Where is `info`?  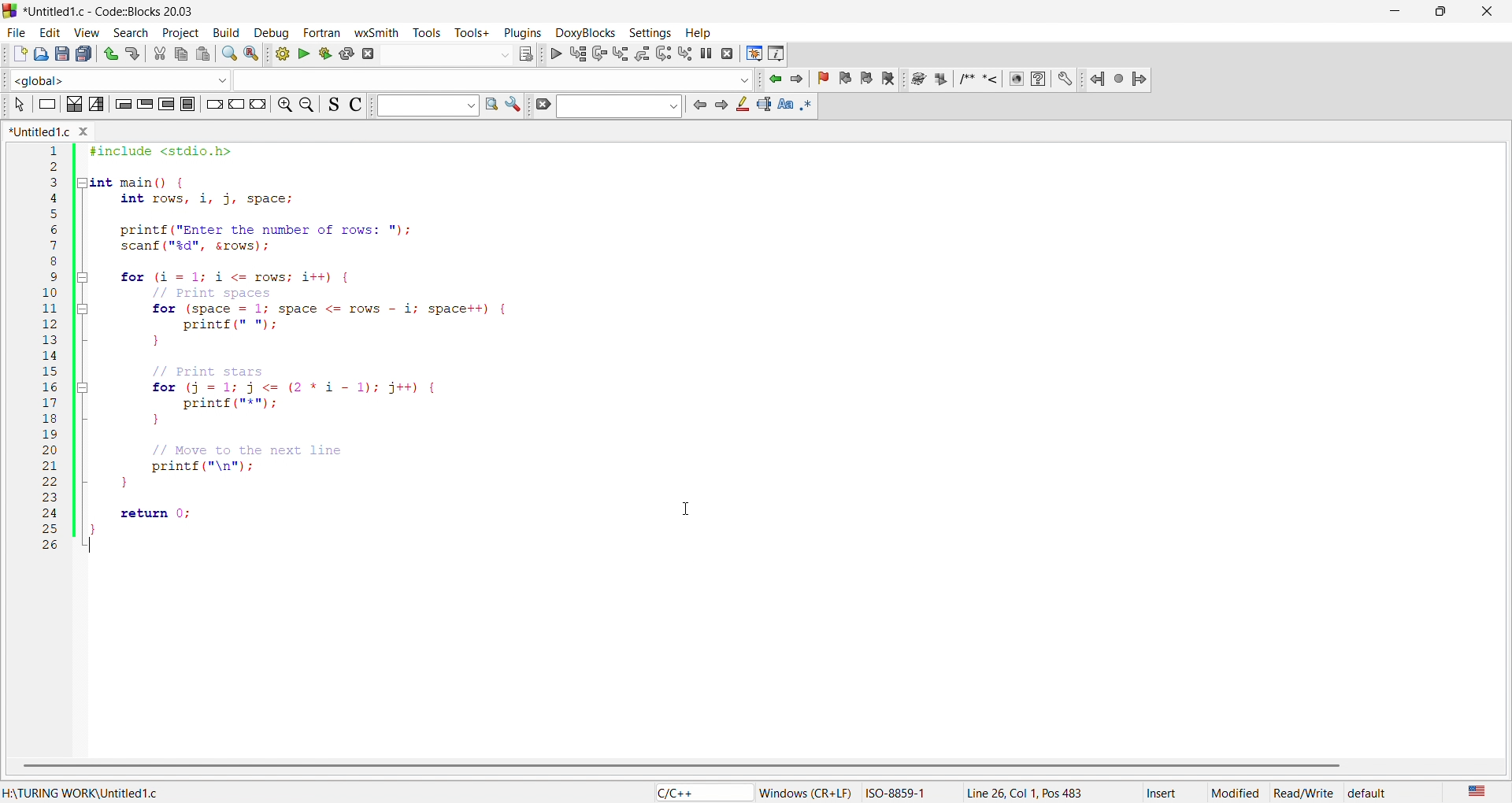
info is located at coordinates (774, 54).